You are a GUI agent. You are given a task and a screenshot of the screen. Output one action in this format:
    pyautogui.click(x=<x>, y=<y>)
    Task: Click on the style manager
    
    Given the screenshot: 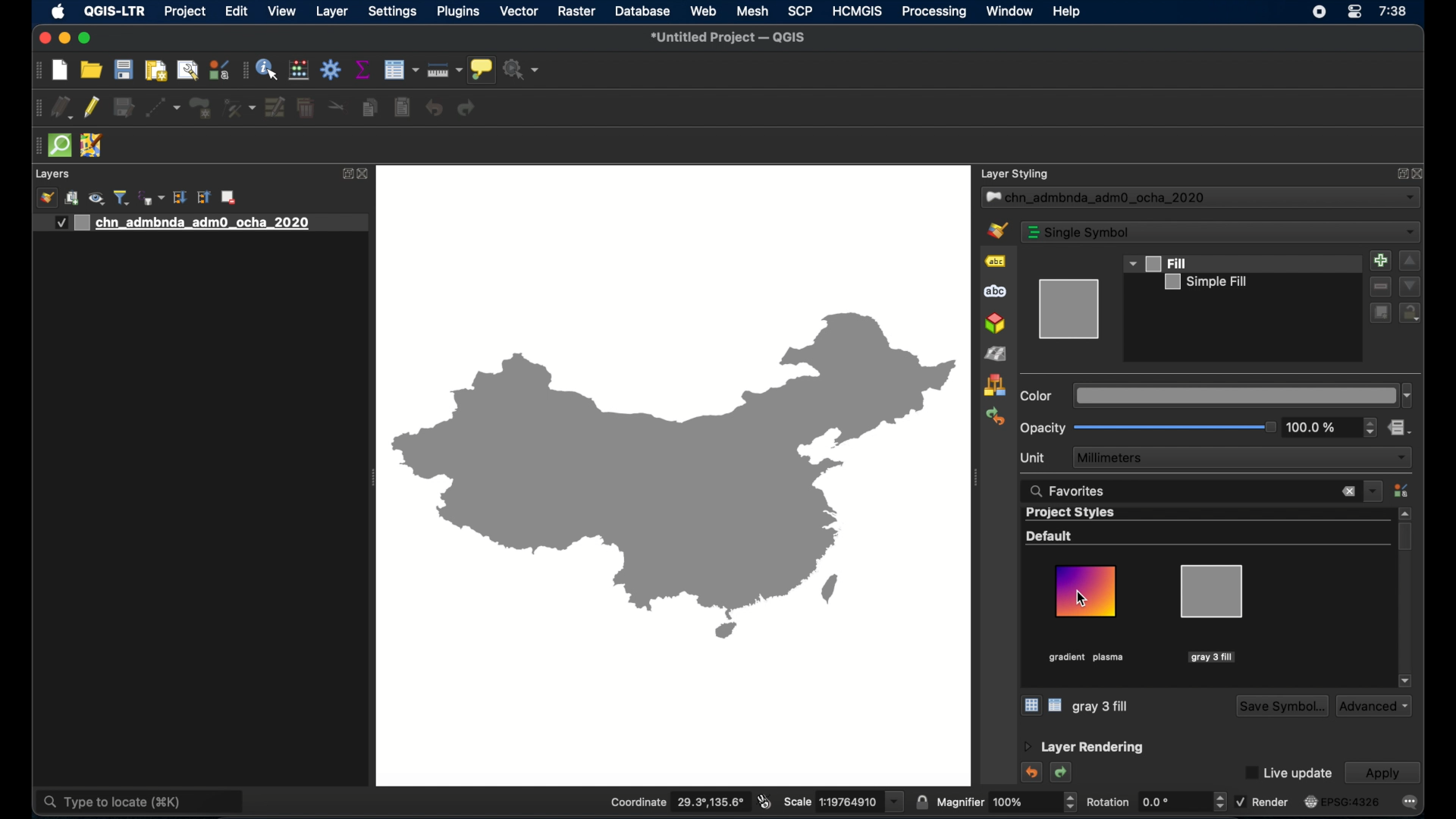 What is the action you would take?
    pyautogui.click(x=299, y=71)
    